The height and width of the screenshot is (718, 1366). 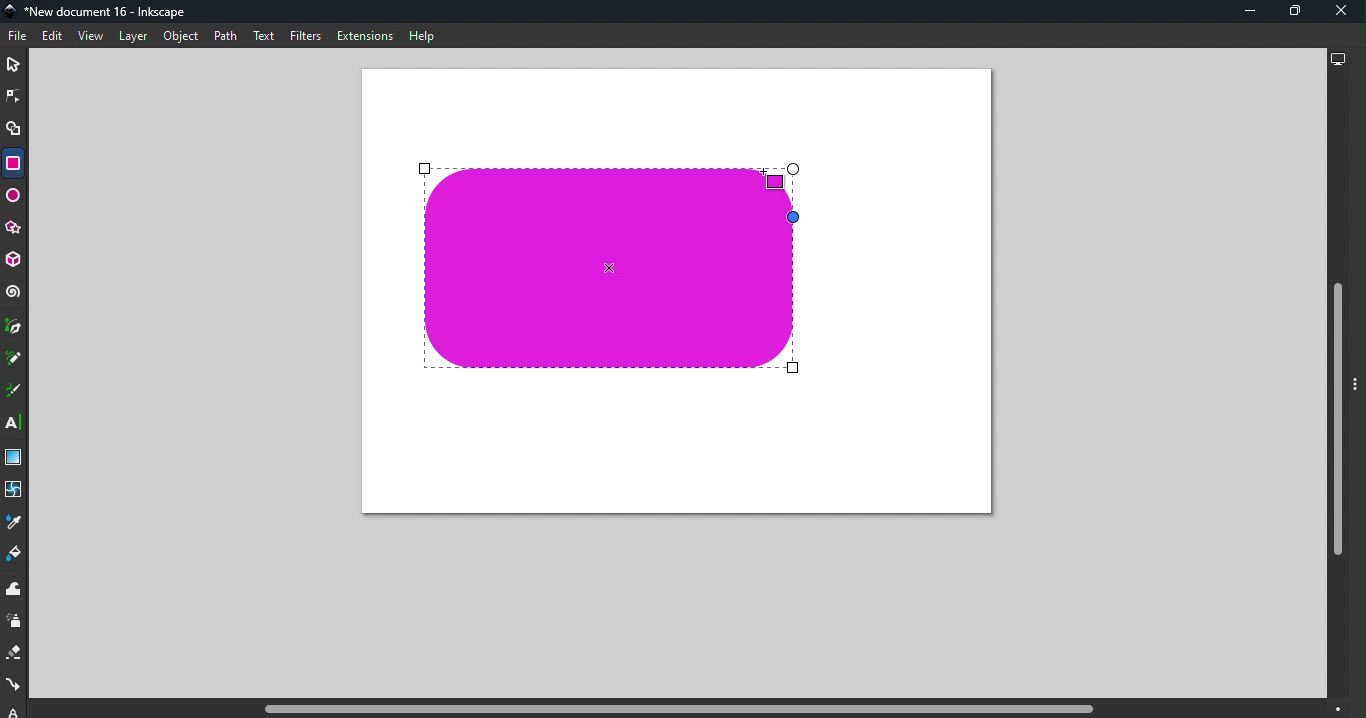 I want to click on Pen tool, so click(x=15, y=327).